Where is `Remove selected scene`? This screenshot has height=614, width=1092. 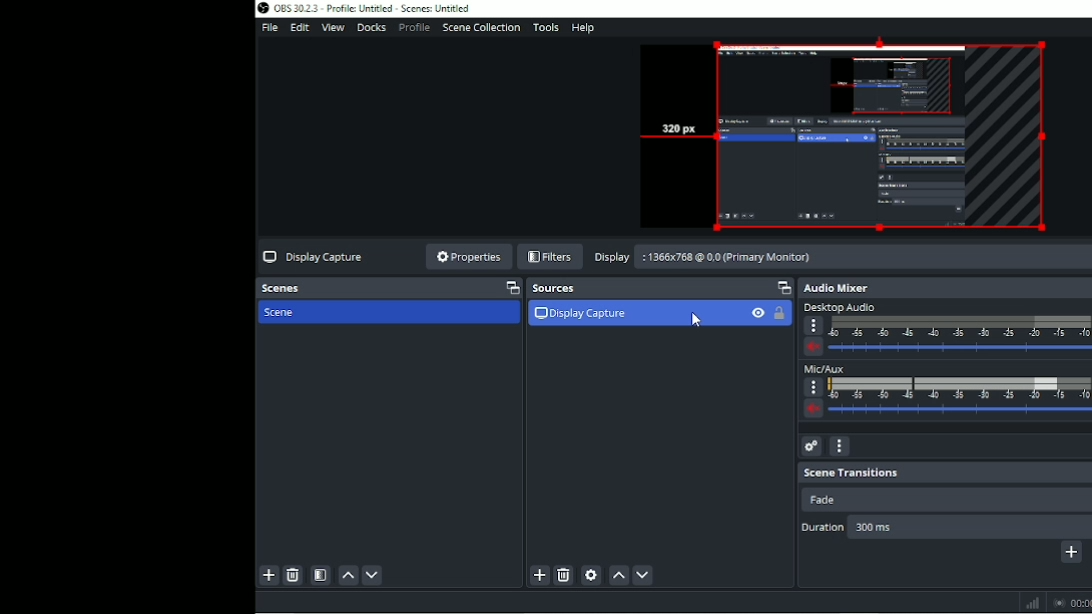 Remove selected scene is located at coordinates (293, 576).